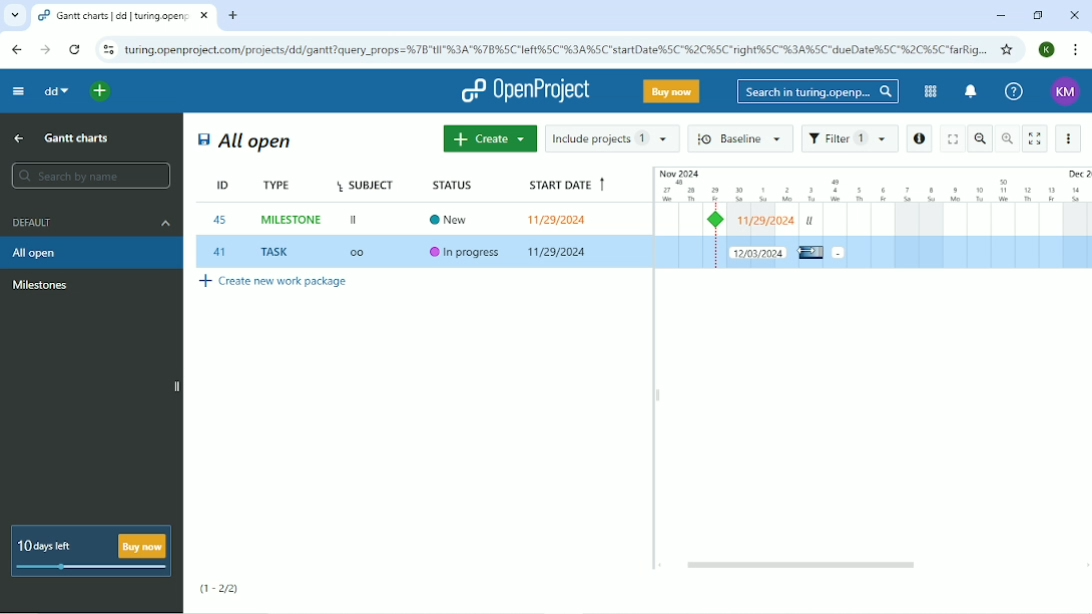 Image resolution: width=1092 pixels, height=614 pixels. Describe the element at coordinates (1070, 138) in the screenshot. I see `More actions` at that location.